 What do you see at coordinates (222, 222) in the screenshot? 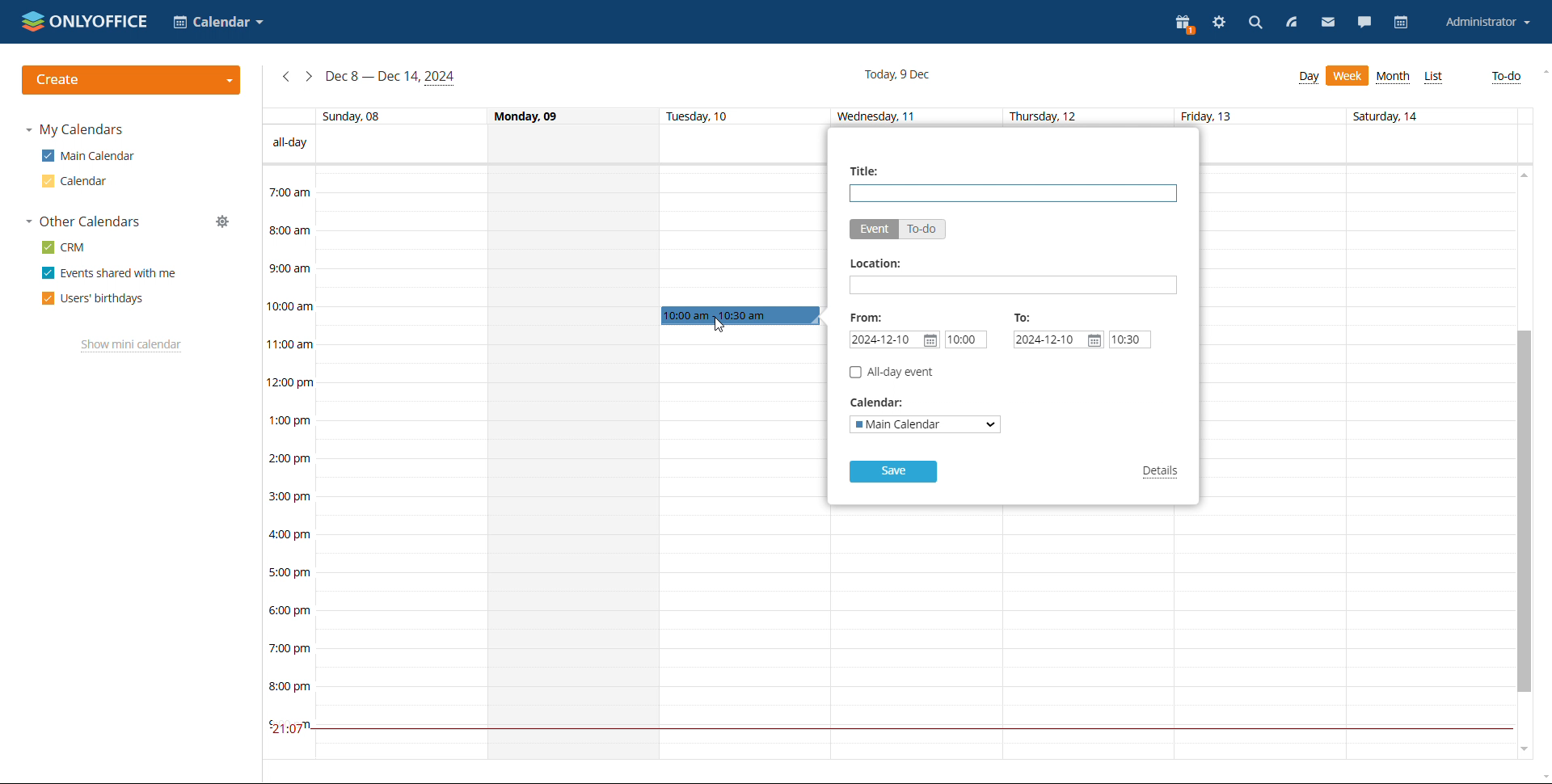
I see `manage` at bounding box center [222, 222].